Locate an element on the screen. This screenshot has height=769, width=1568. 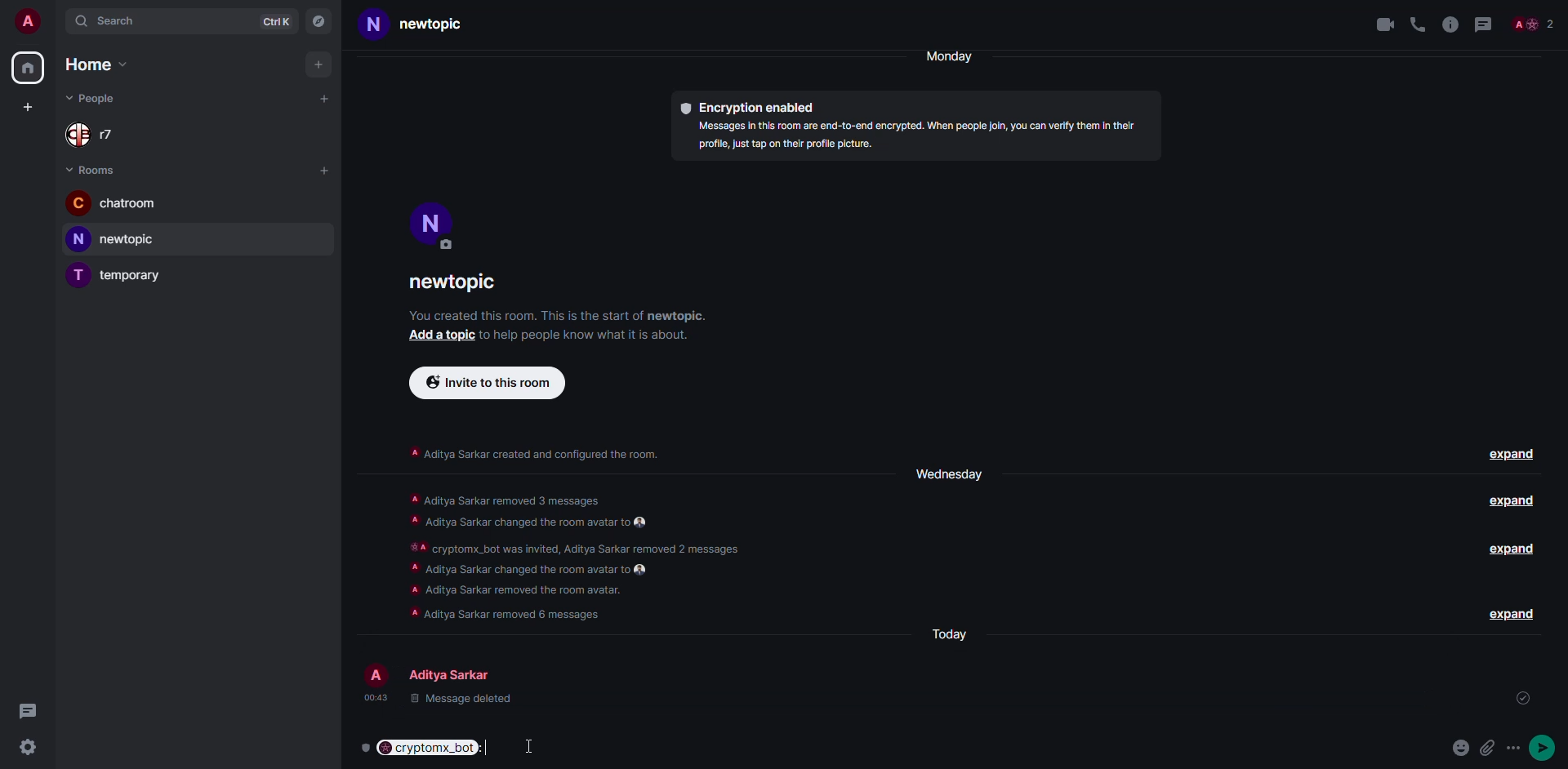
add is located at coordinates (25, 109).